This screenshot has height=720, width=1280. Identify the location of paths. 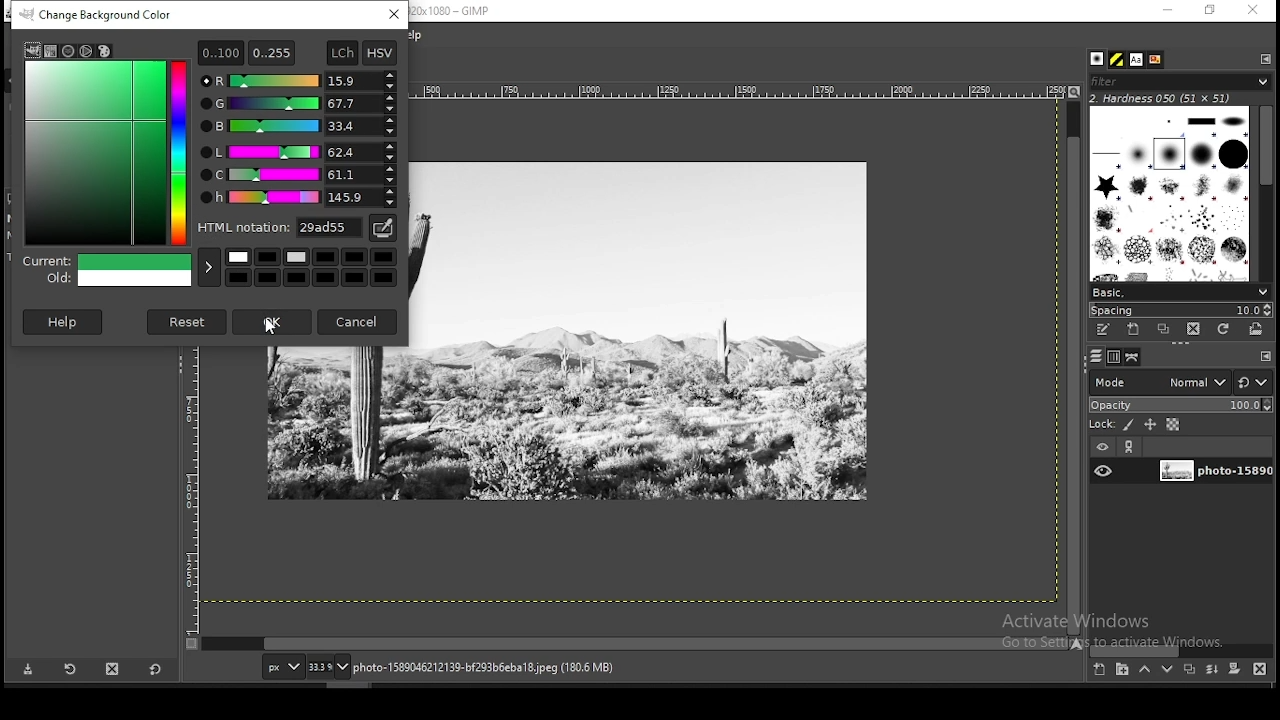
(1134, 357).